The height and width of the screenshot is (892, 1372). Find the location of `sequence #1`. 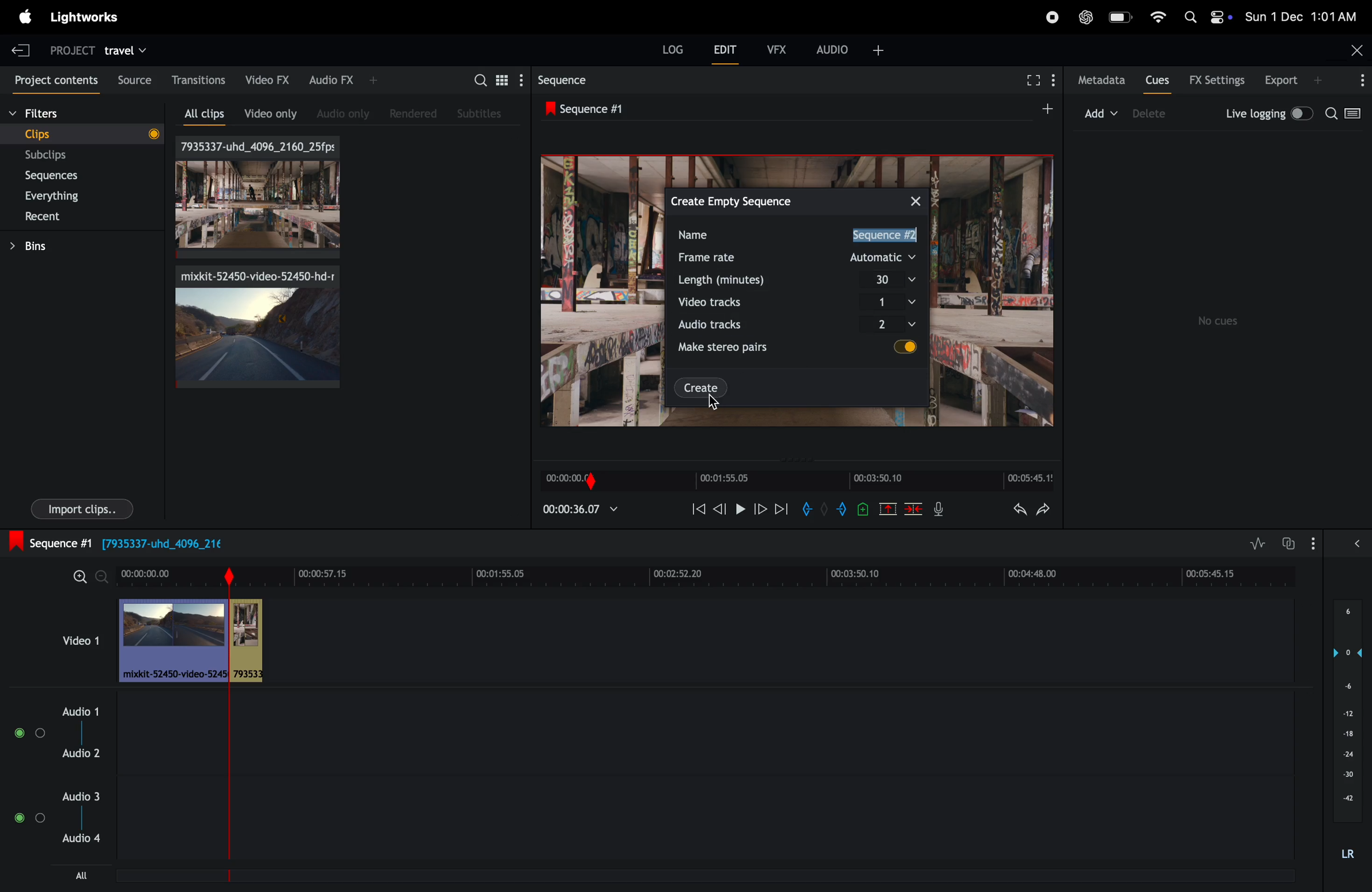

sequence #1 is located at coordinates (599, 107).